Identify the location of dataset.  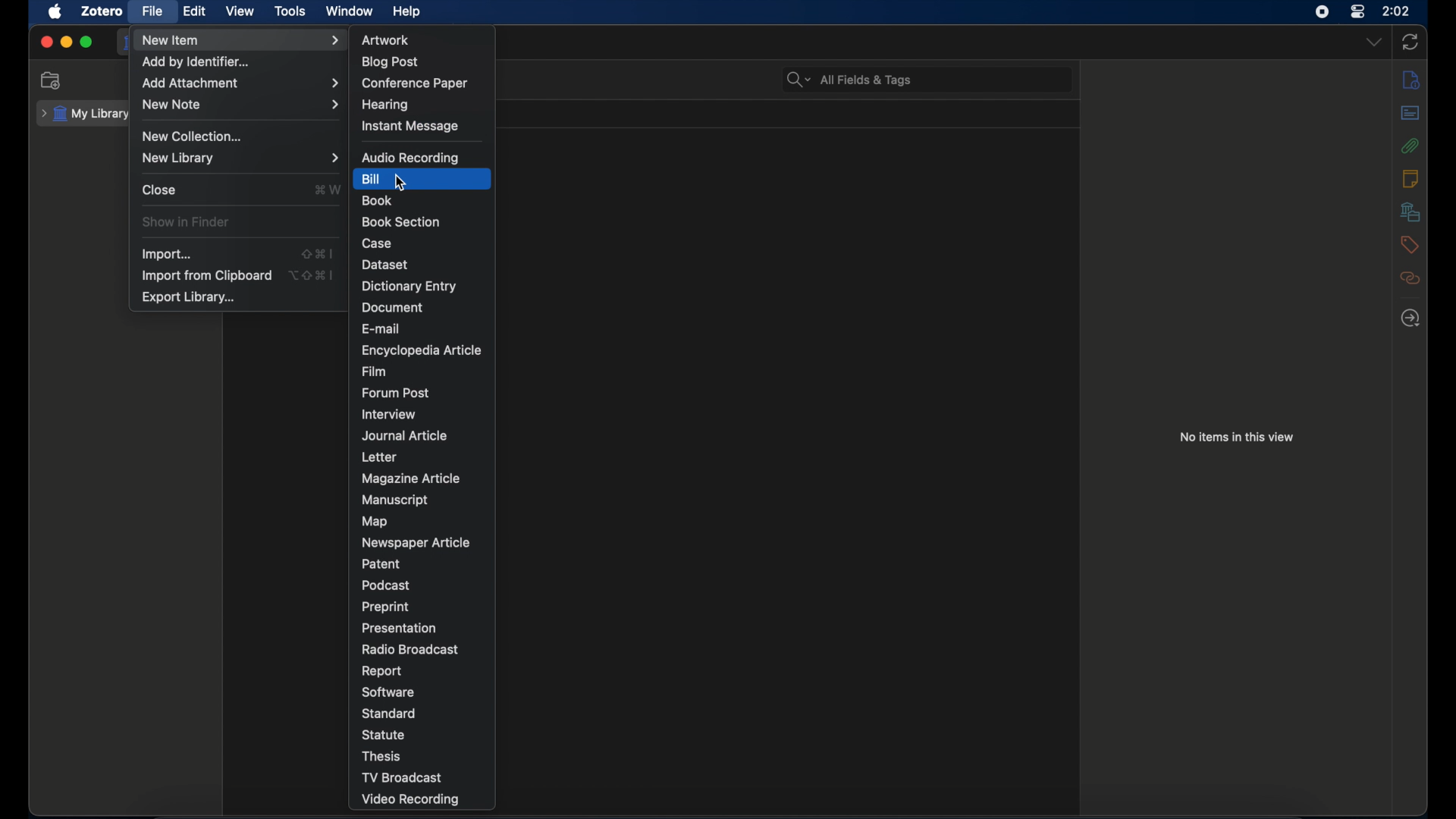
(386, 265).